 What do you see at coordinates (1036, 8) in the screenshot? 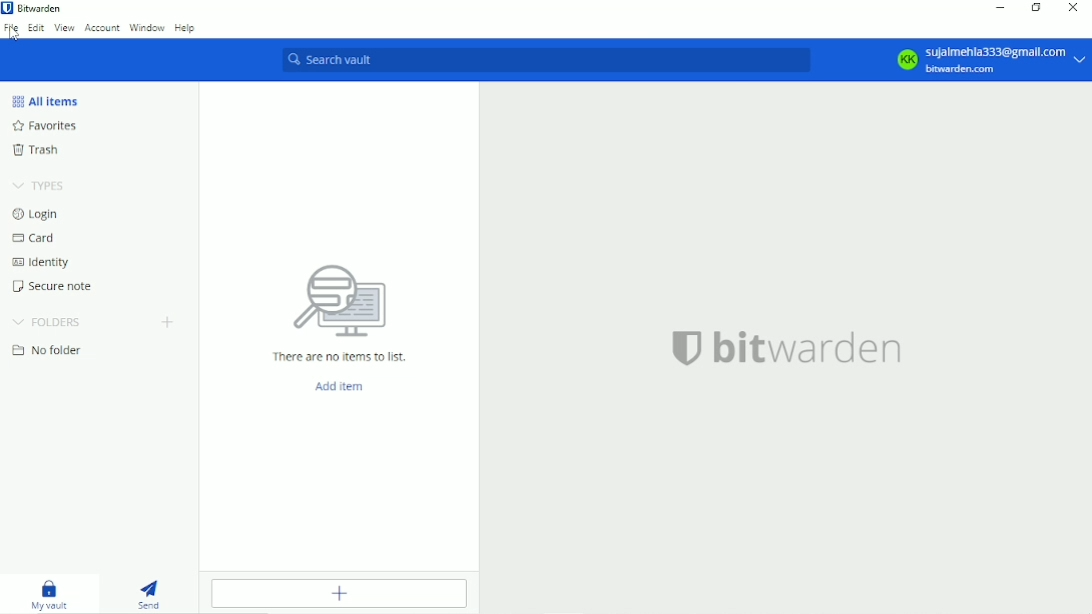
I see `Restore down` at bounding box center [1036, 8].